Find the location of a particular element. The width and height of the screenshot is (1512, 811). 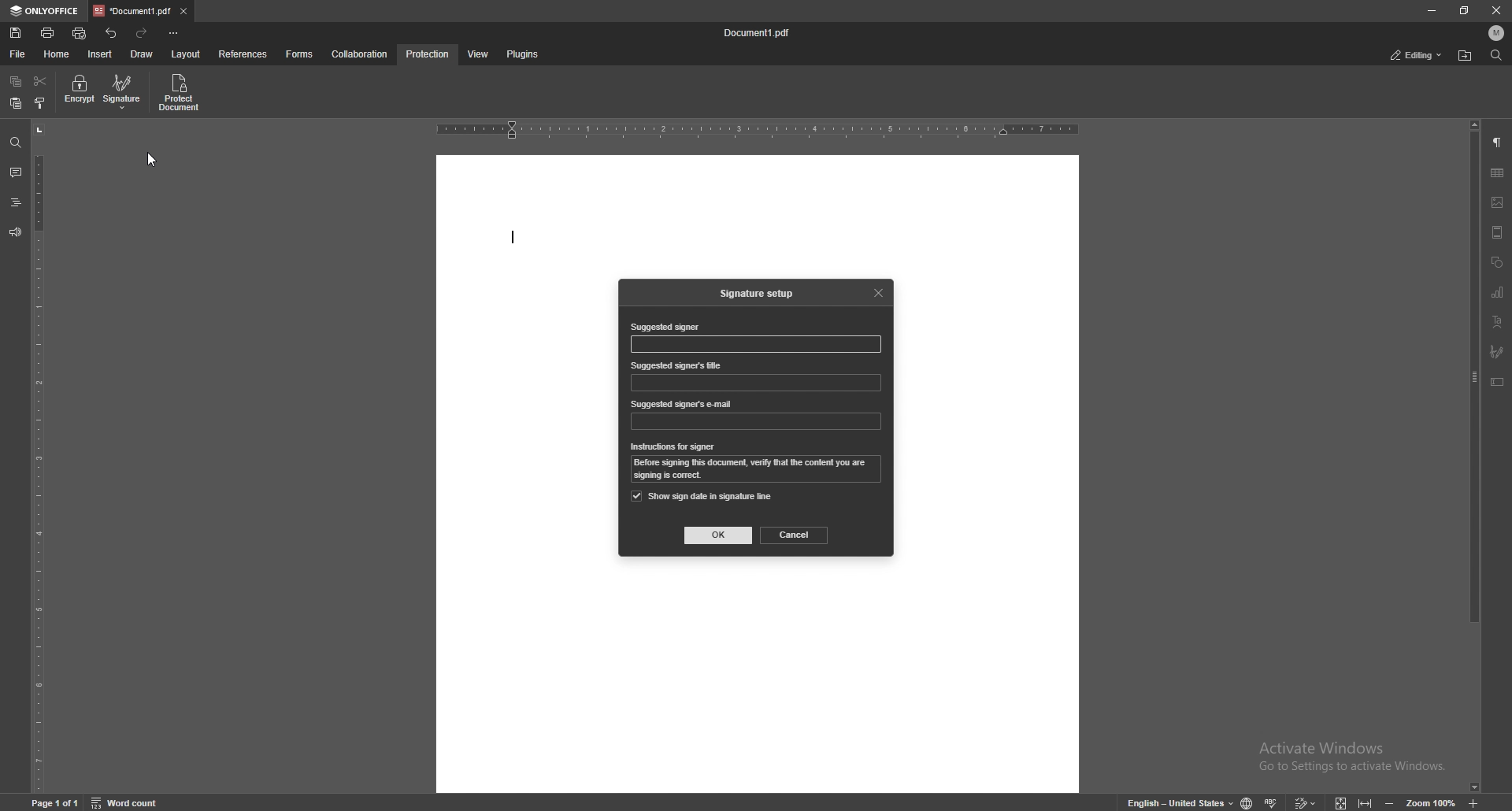

fit to screen is located at coordinates (1336, 801).